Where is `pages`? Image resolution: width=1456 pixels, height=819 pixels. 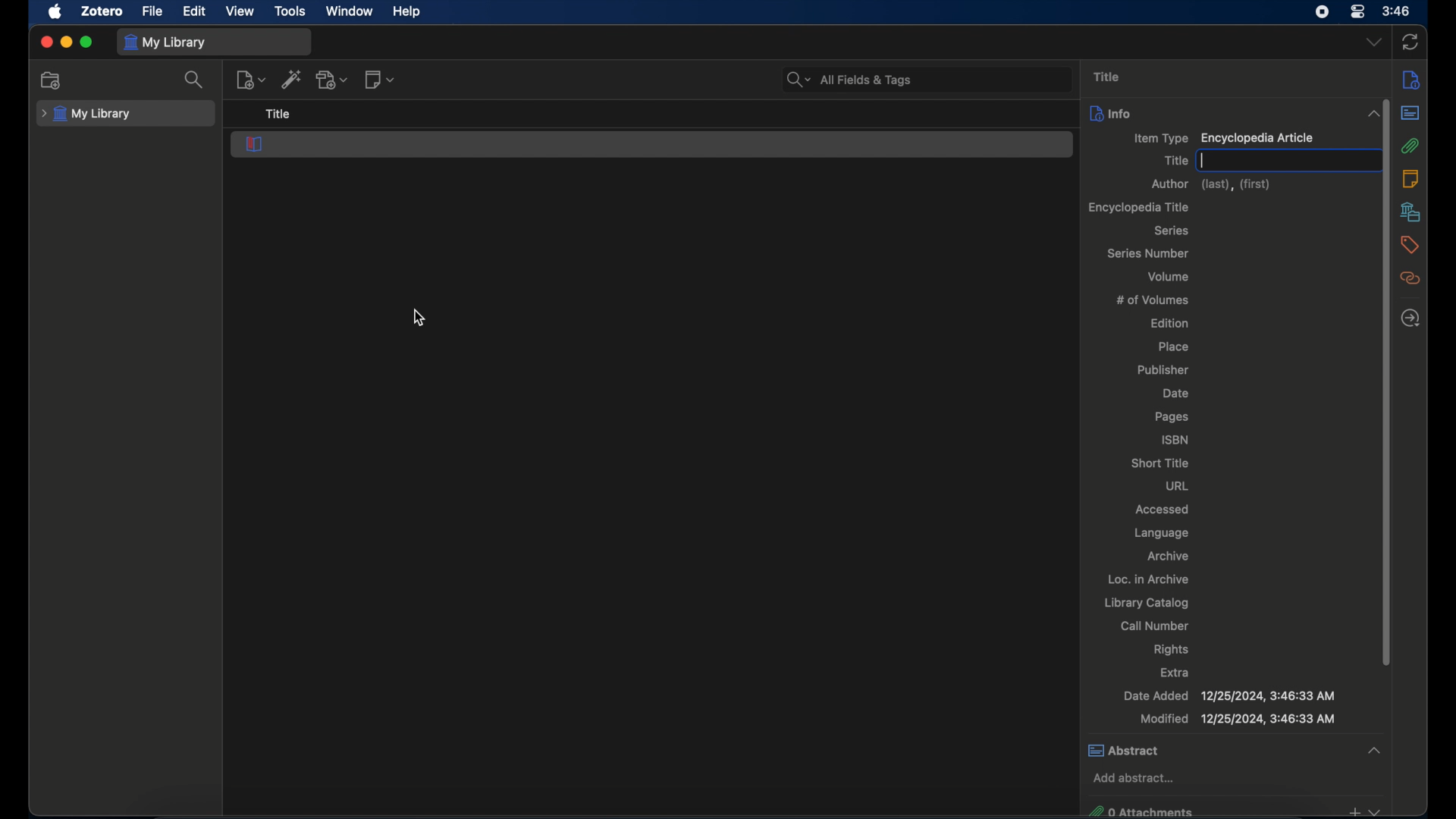
pages is located at coordinates (1173, 417).